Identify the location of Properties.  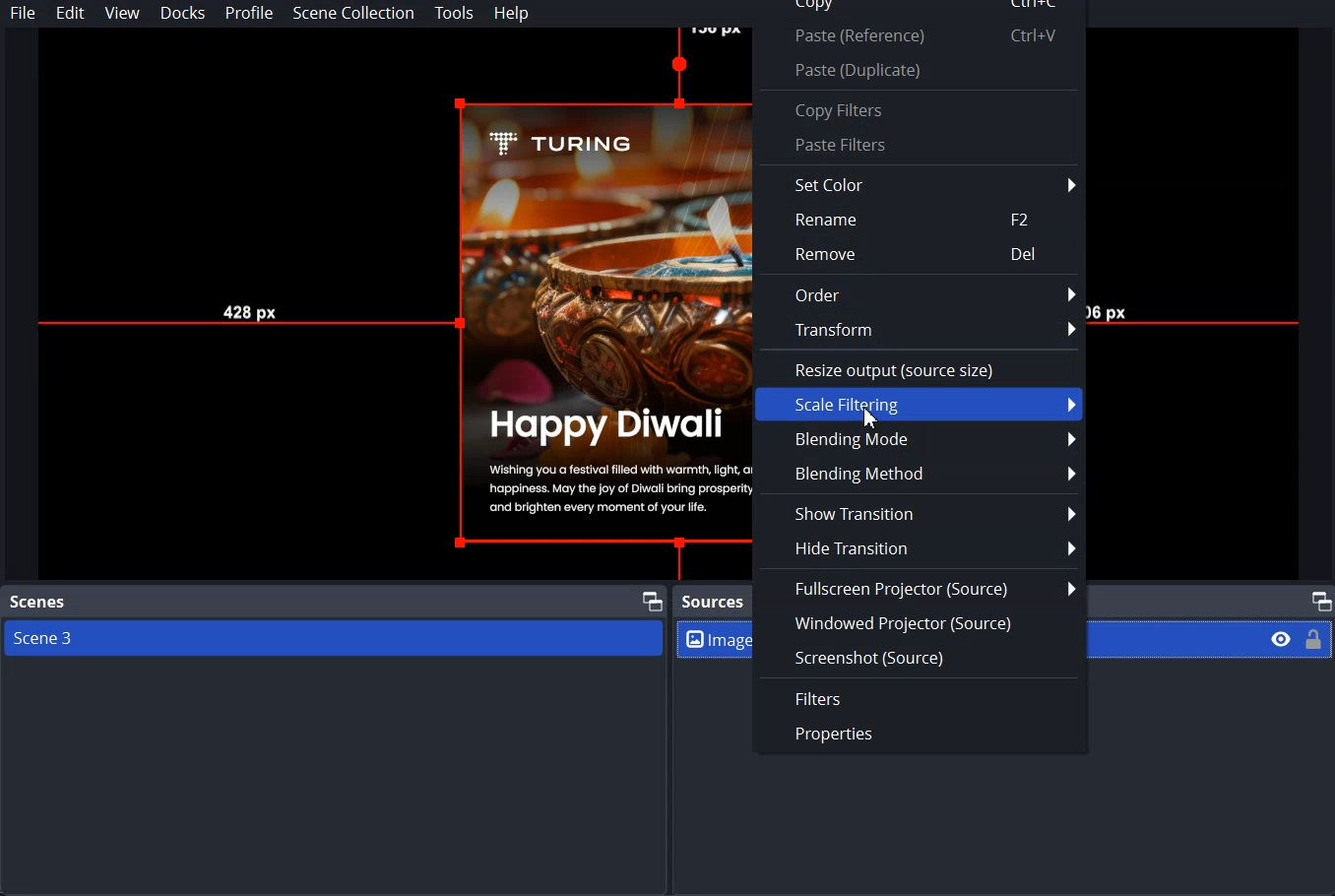
(920, 736).